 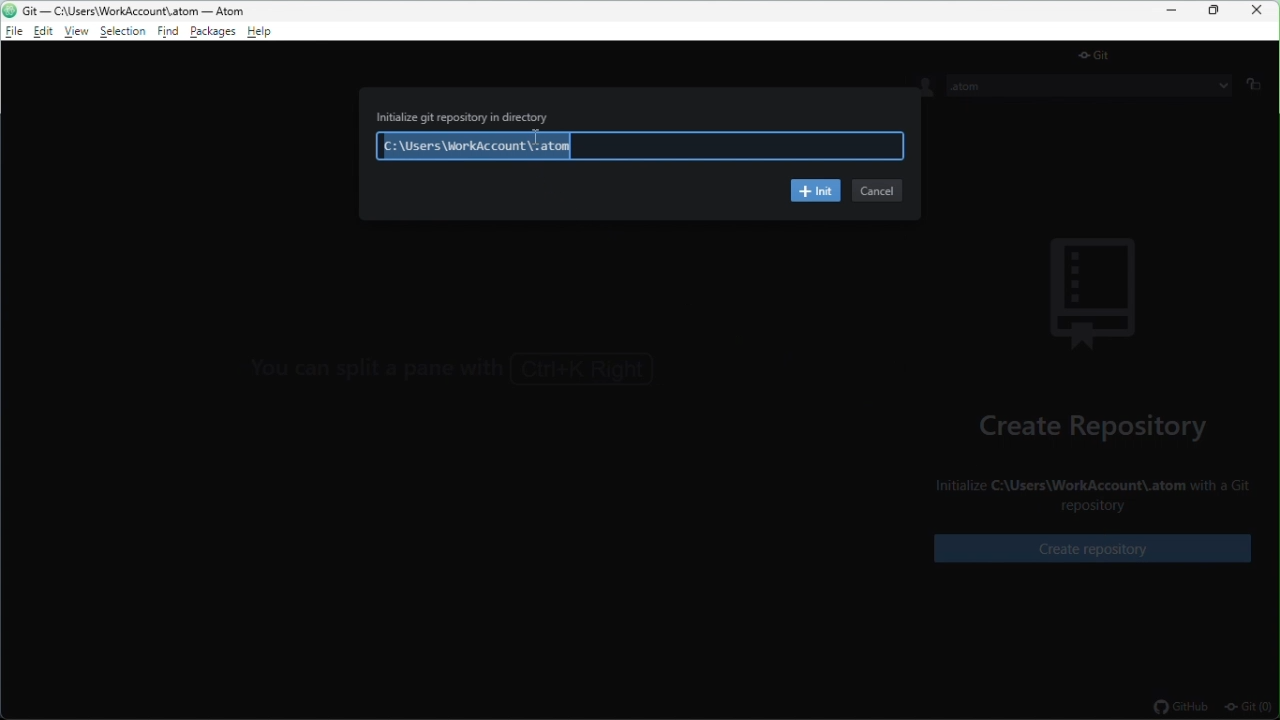 What do you see at coordinates (899, 369) in the screenshot?
I see `>` at bounding box center [899, 369].